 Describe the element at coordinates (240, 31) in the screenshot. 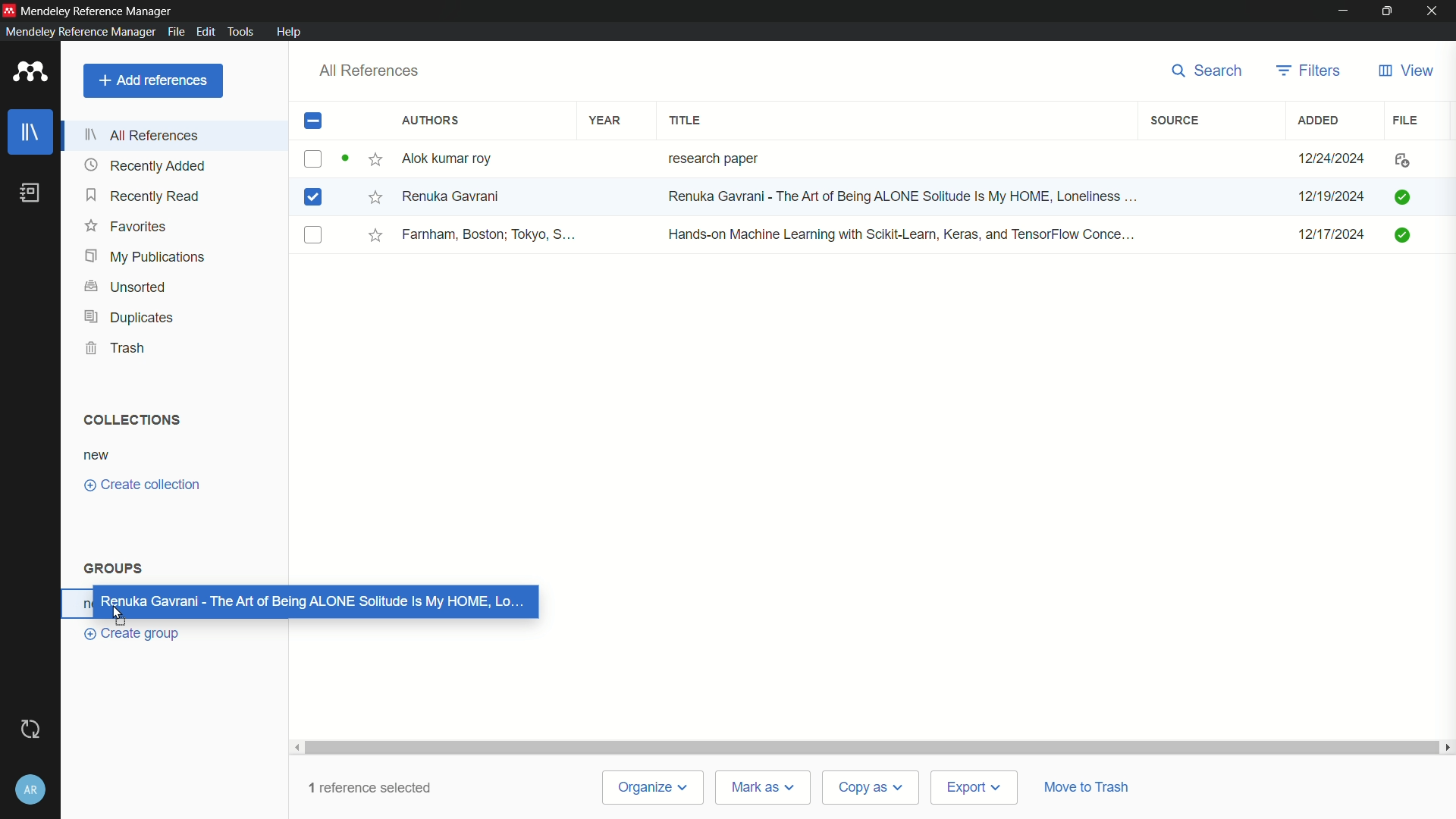

I see `tools menu` at that location.